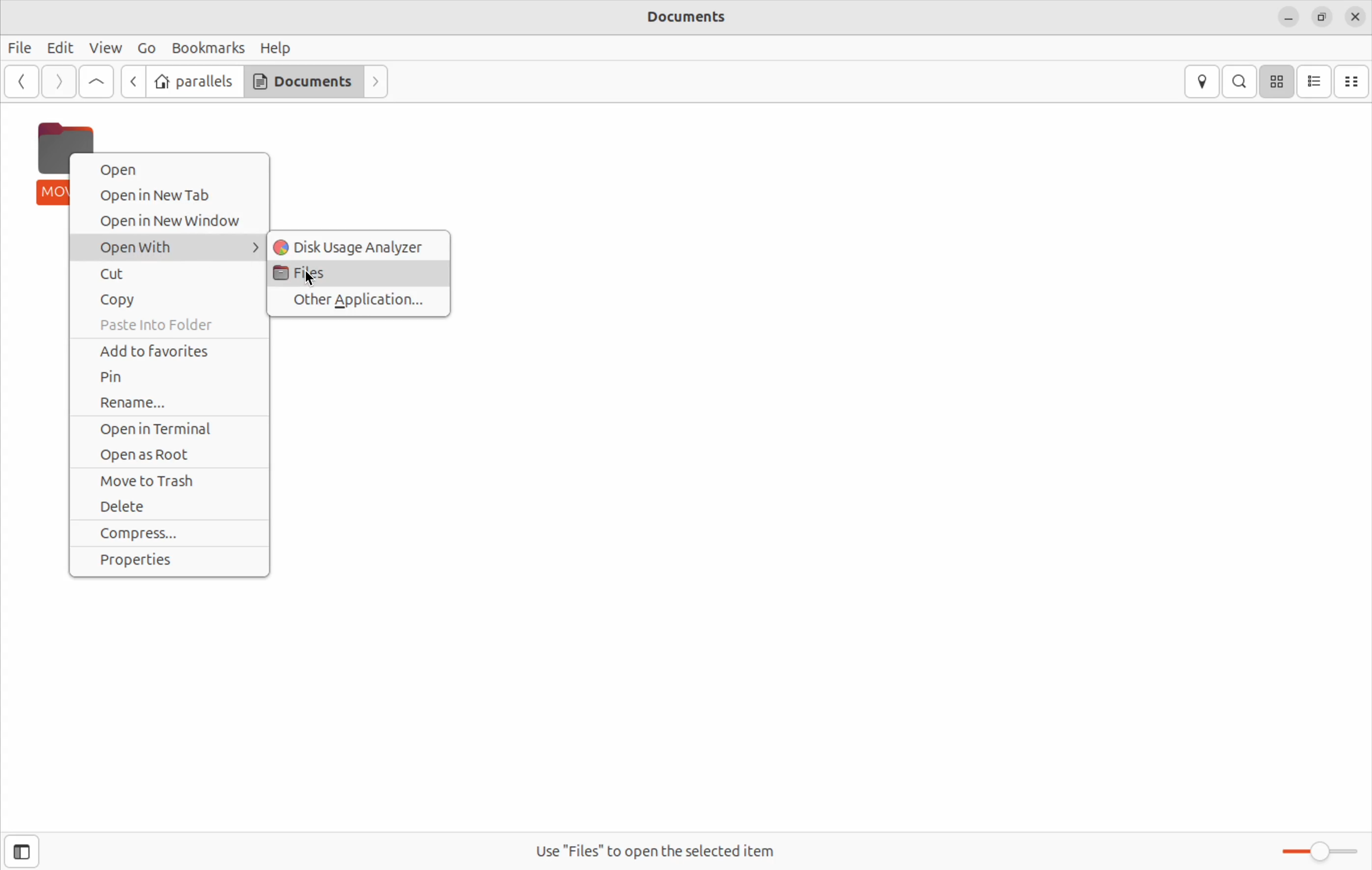  Describe the element at coordinates (1322, 16) in the screenshot. I see `resize` at that location.